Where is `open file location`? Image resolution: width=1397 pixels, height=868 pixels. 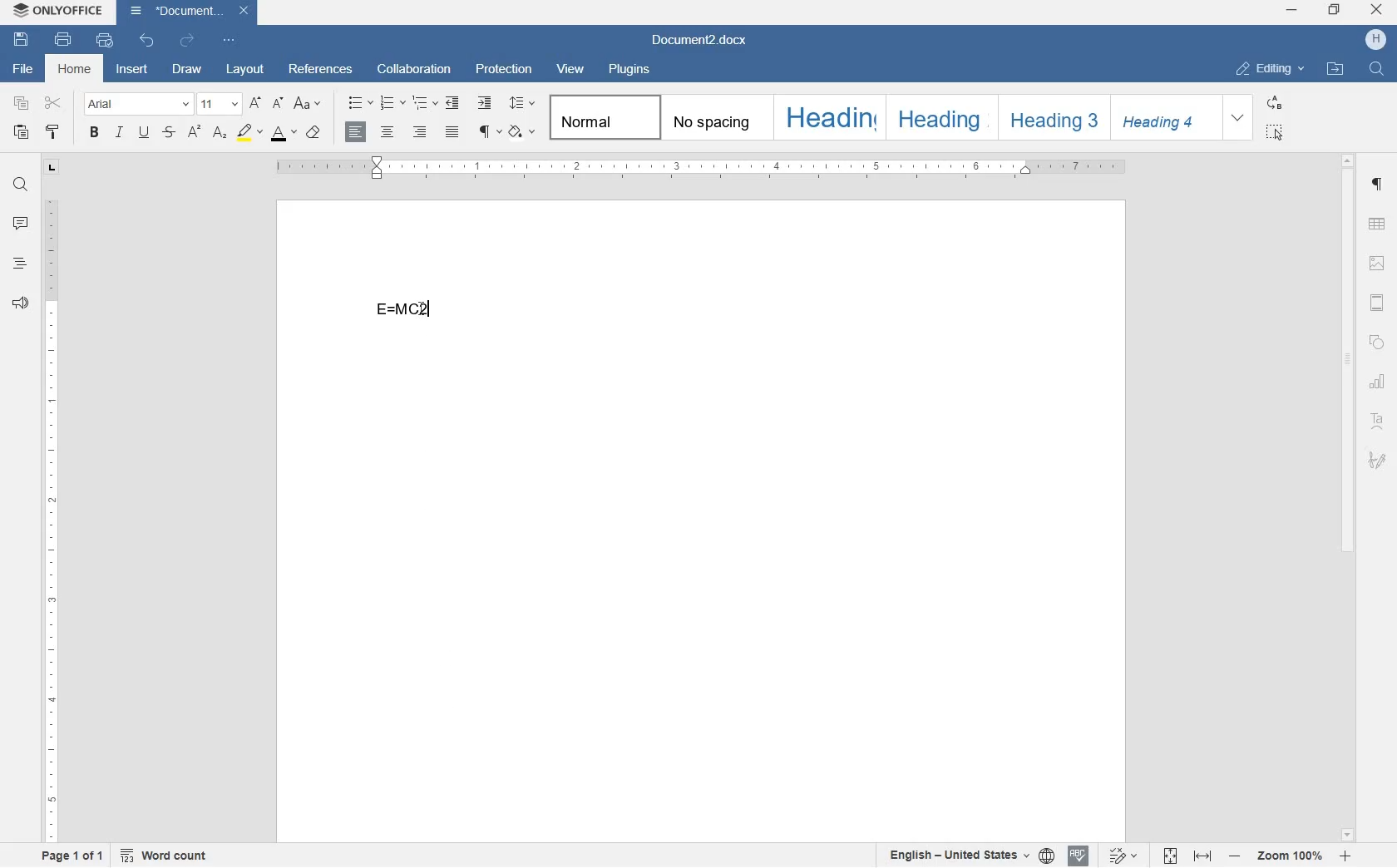
open file location is located at coordinates (1335, 68).